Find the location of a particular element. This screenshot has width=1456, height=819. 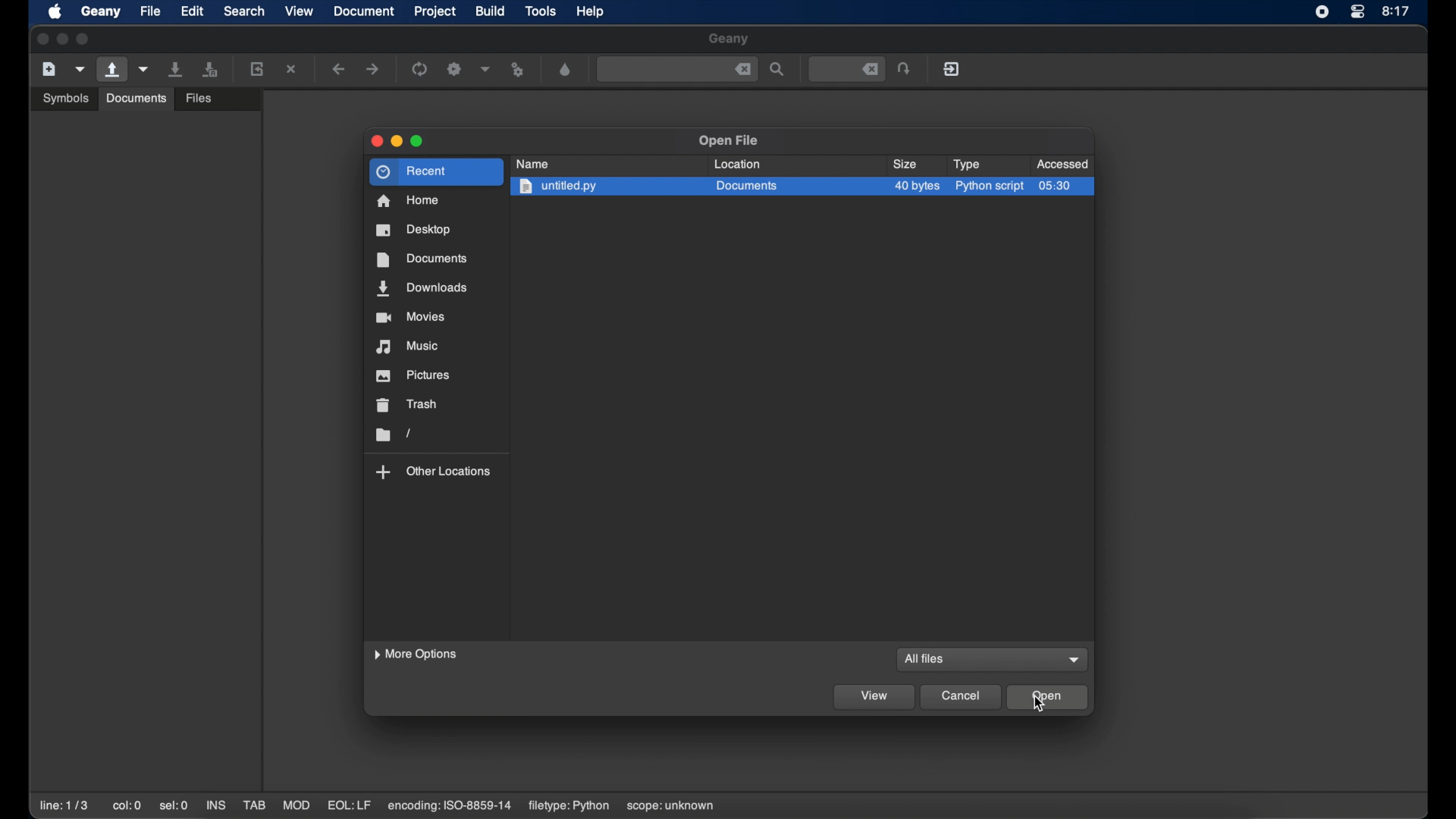

minimize is located at coordinates (62, 39).